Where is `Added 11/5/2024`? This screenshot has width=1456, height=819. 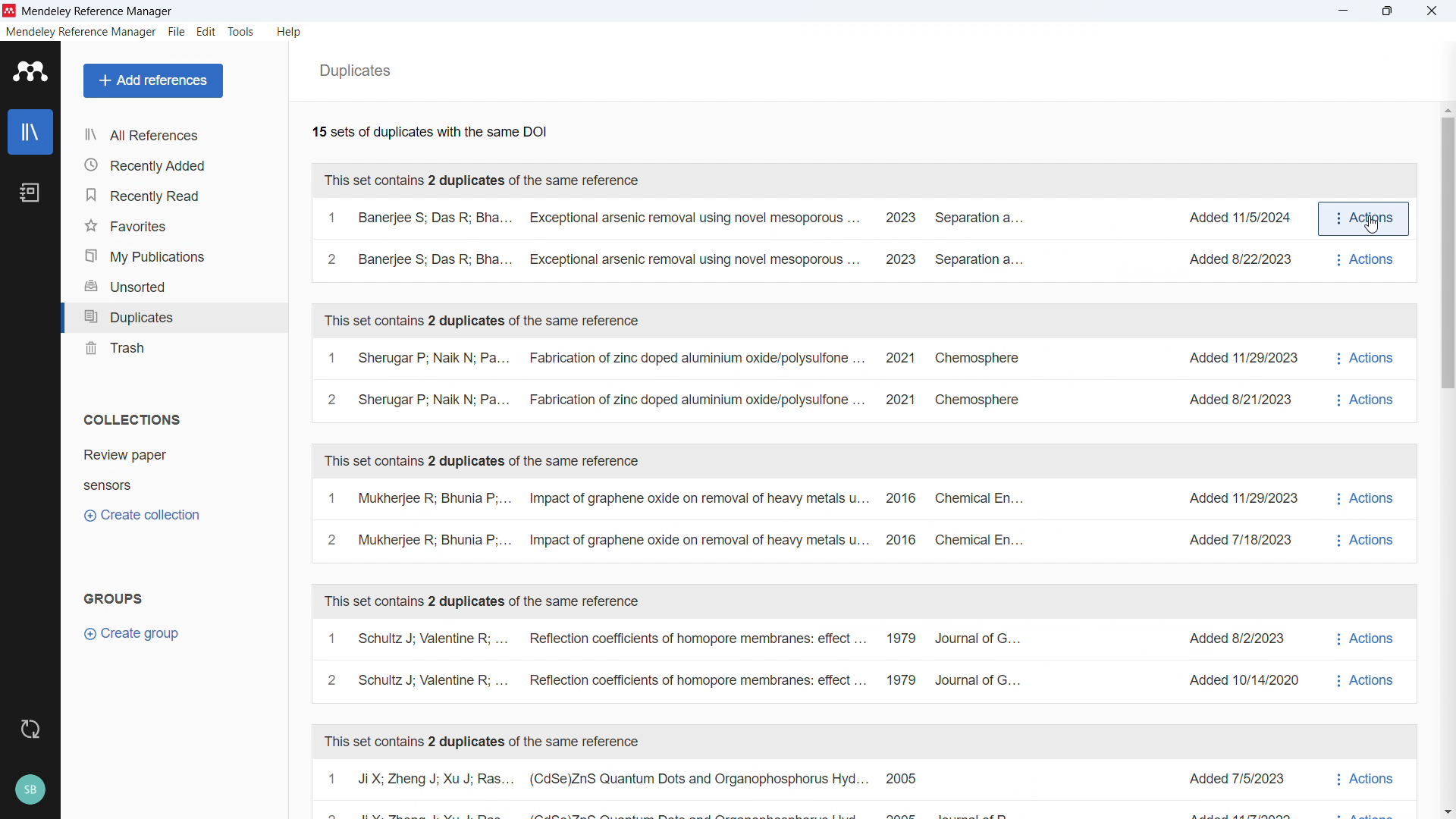
Added 11/5/2024 is located at coordinates (1225, 217).